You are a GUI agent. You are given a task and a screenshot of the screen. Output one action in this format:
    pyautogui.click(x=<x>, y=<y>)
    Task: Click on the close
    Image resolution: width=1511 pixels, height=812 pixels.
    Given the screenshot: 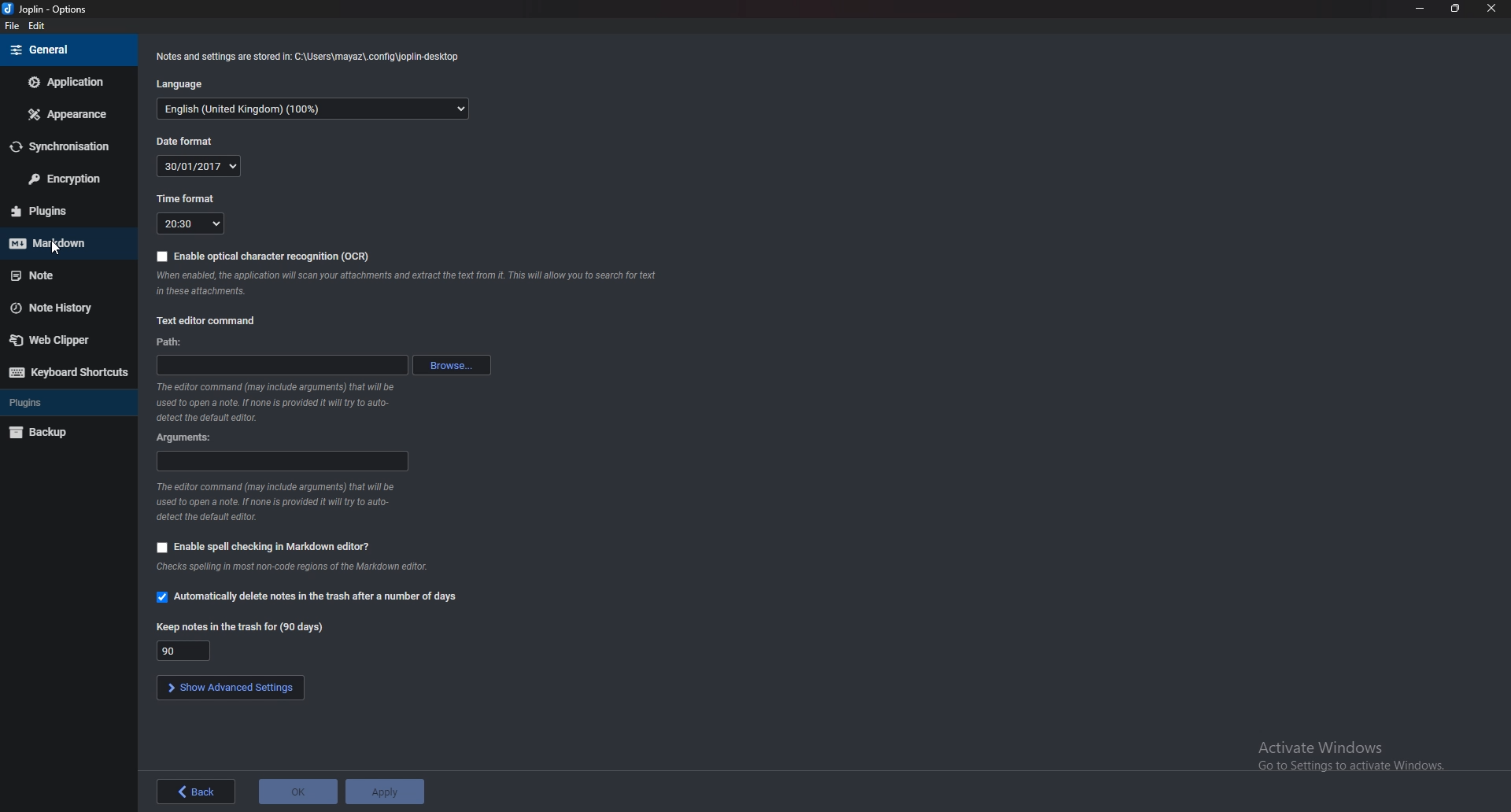 What is the action you would take?
    pyautogui.click(x=1494, y=8)
    